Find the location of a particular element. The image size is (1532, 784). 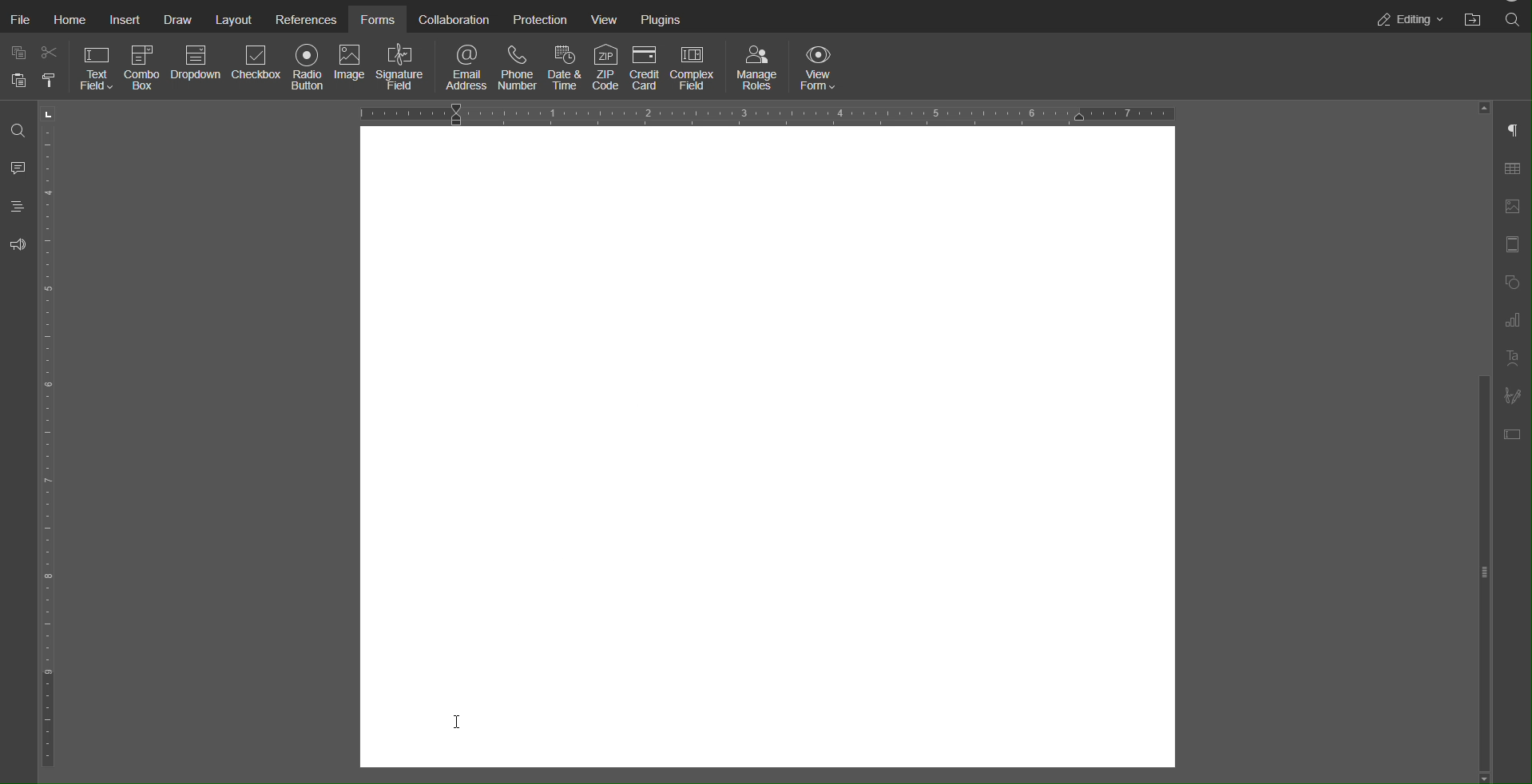

Radio Button is located at coordinates (310, 69).